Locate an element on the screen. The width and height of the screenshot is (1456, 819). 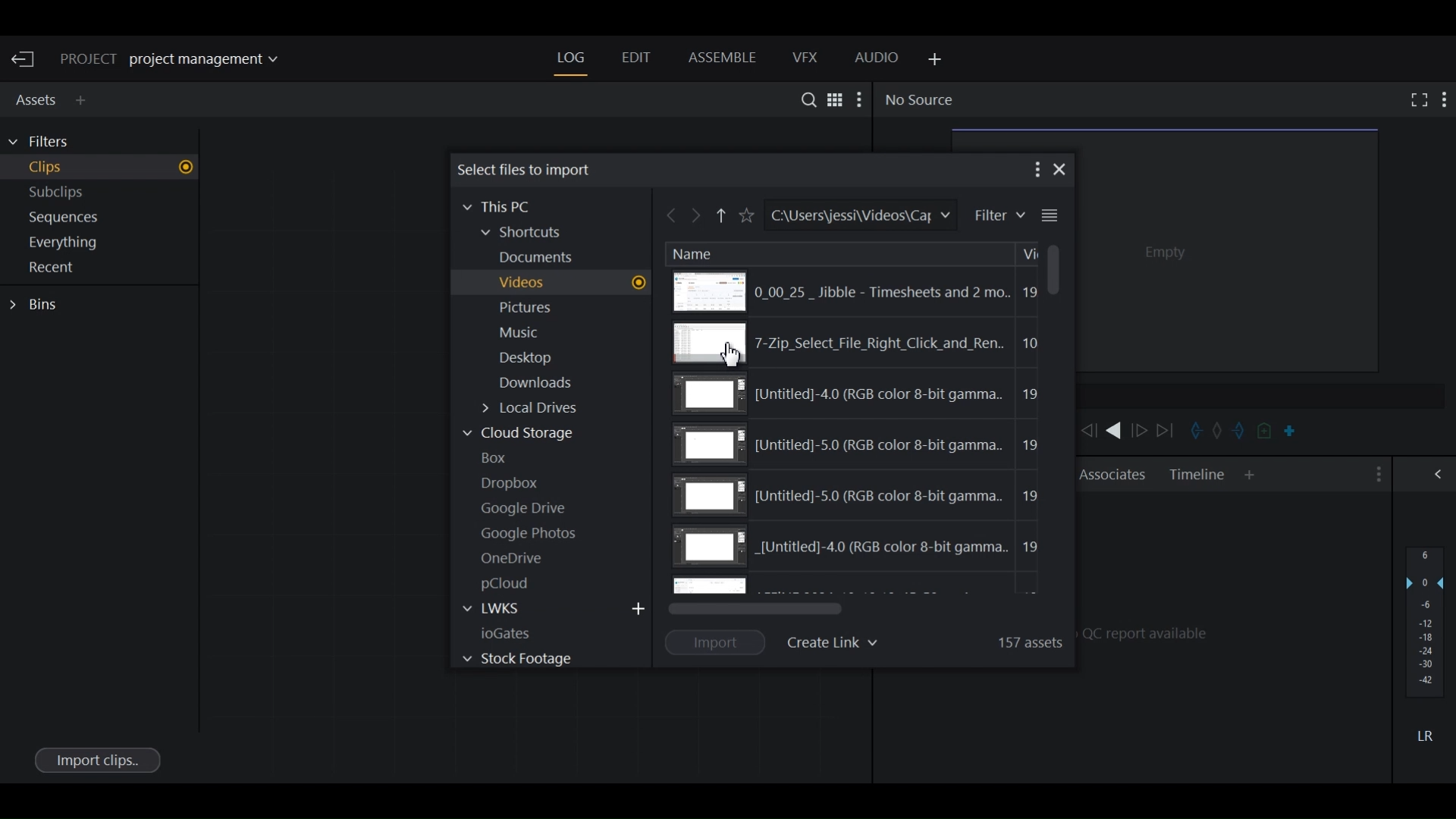
zip select file right is located at coordinates (857, 344).